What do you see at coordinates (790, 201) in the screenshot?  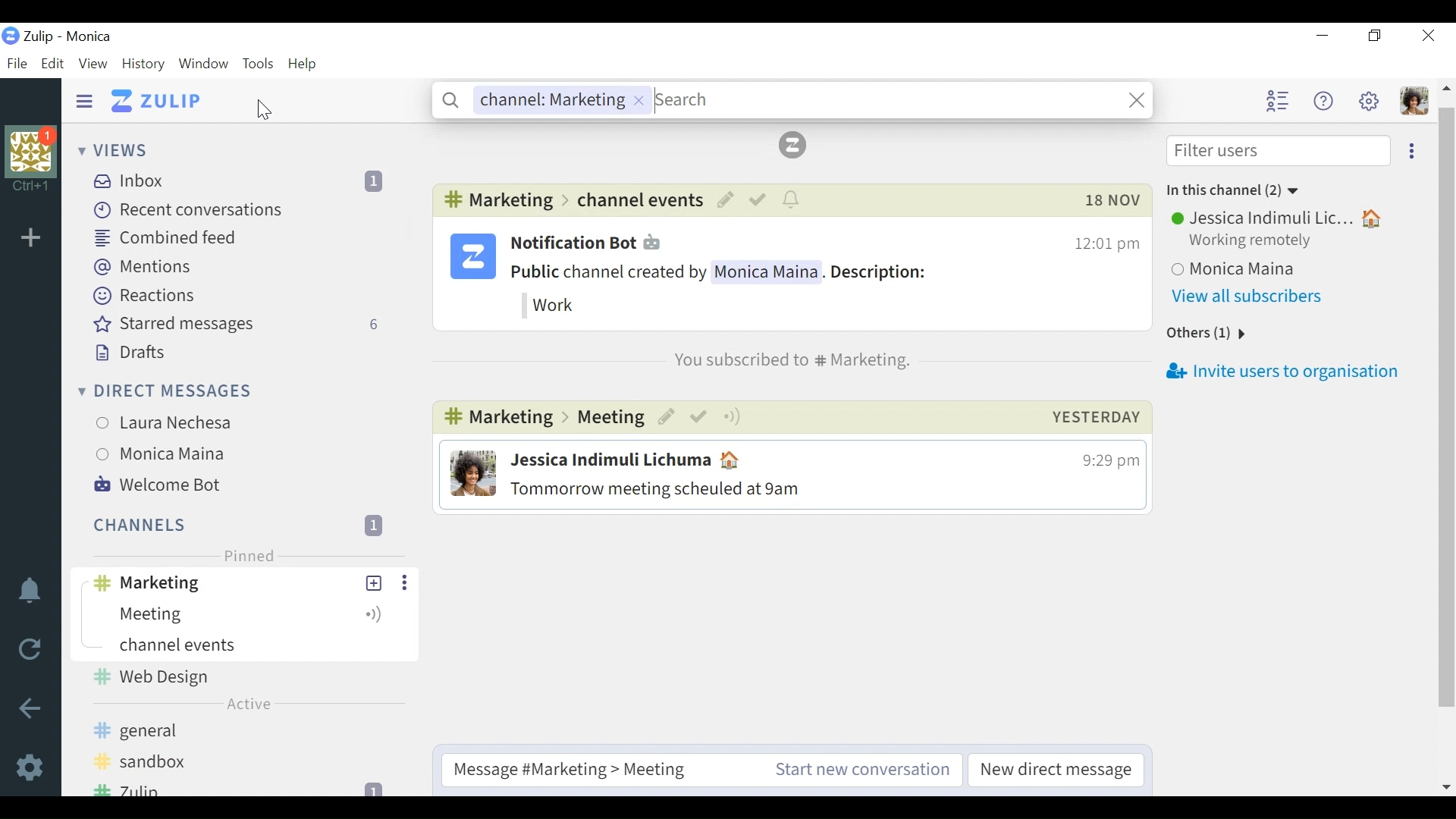 I see `notifications` at bounding box center [790, 201].